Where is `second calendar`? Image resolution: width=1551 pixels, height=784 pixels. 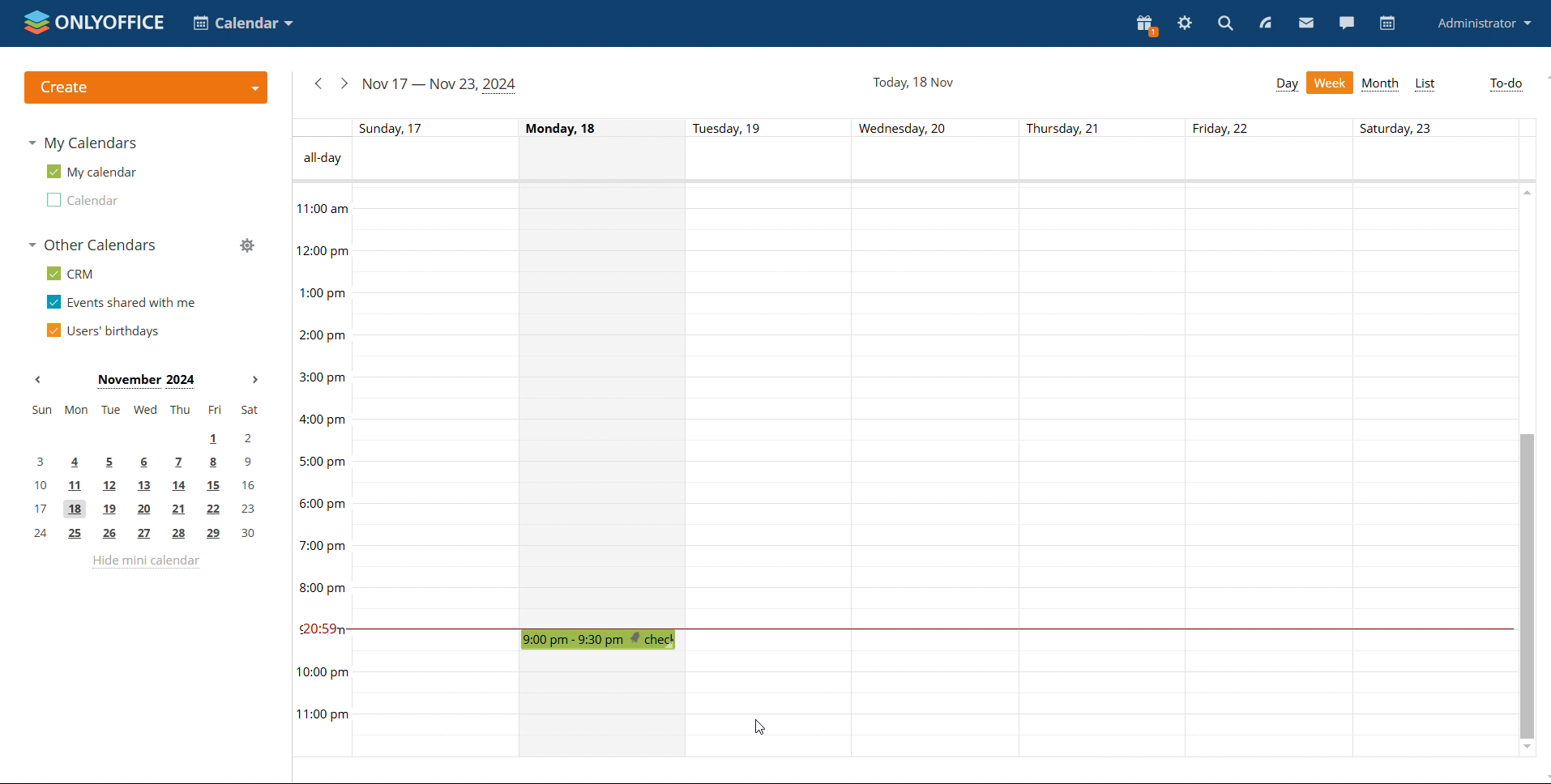
second calendar is located at coordinates (81, 198).